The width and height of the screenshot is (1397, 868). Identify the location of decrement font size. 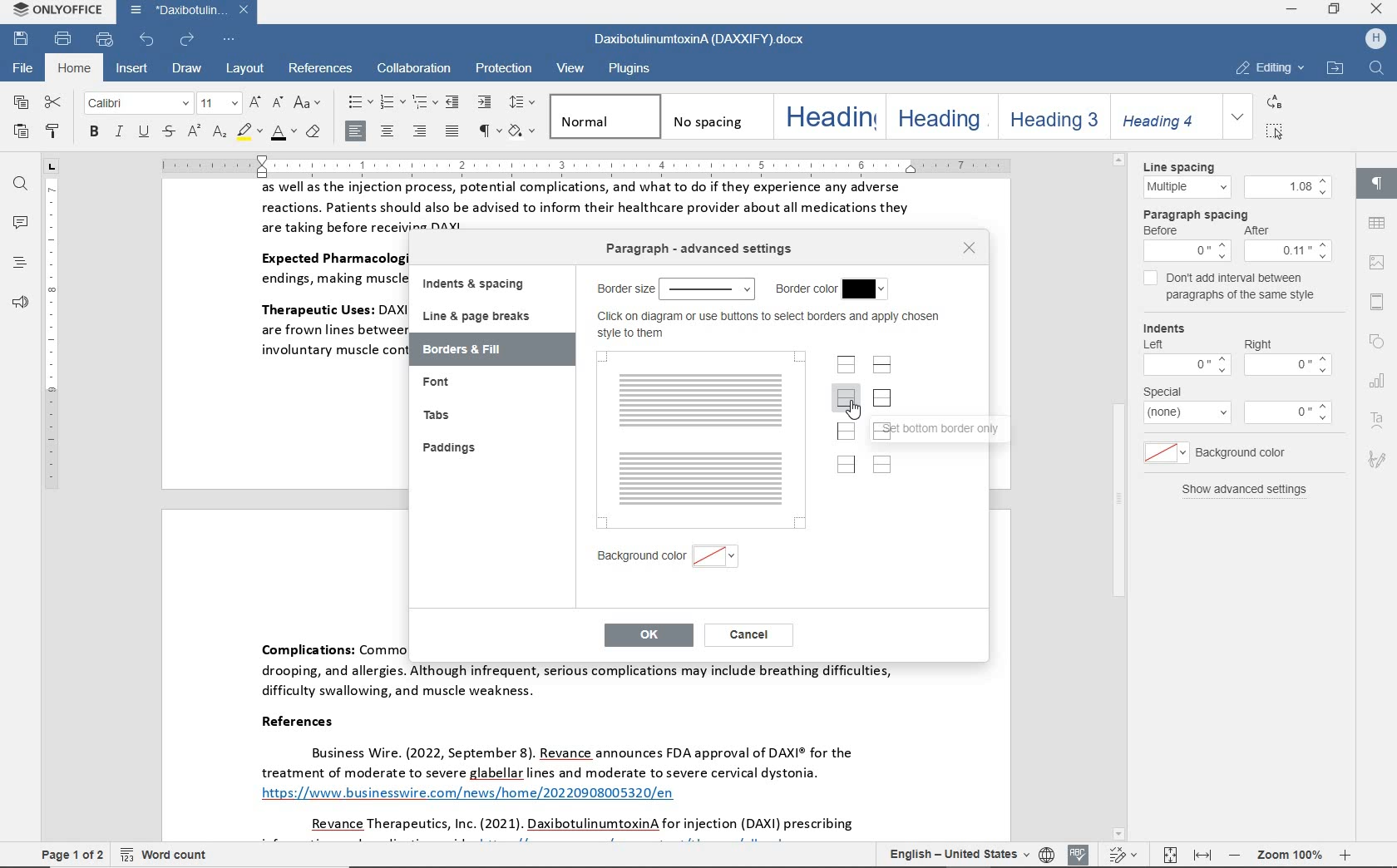
(276, 101).